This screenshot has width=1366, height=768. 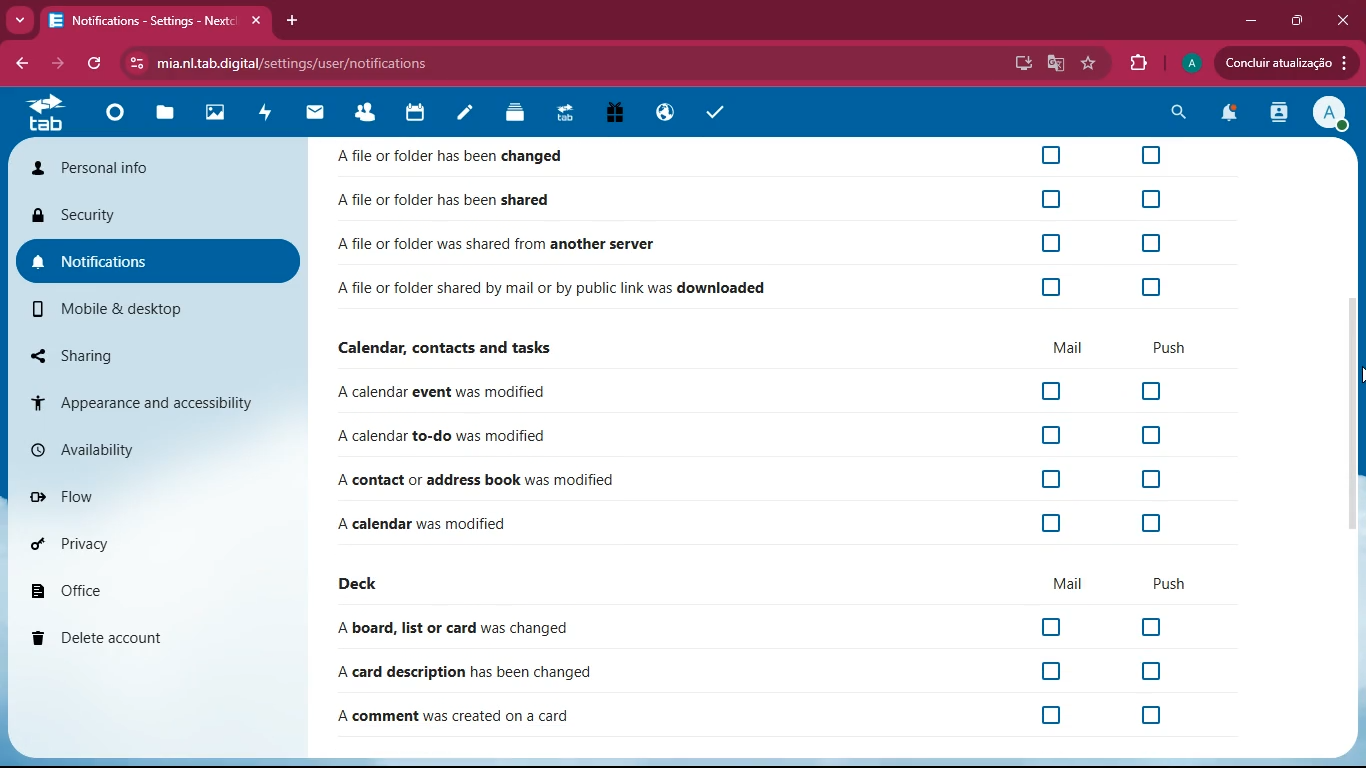 I want to click on off, so click(x=1057, y=715).